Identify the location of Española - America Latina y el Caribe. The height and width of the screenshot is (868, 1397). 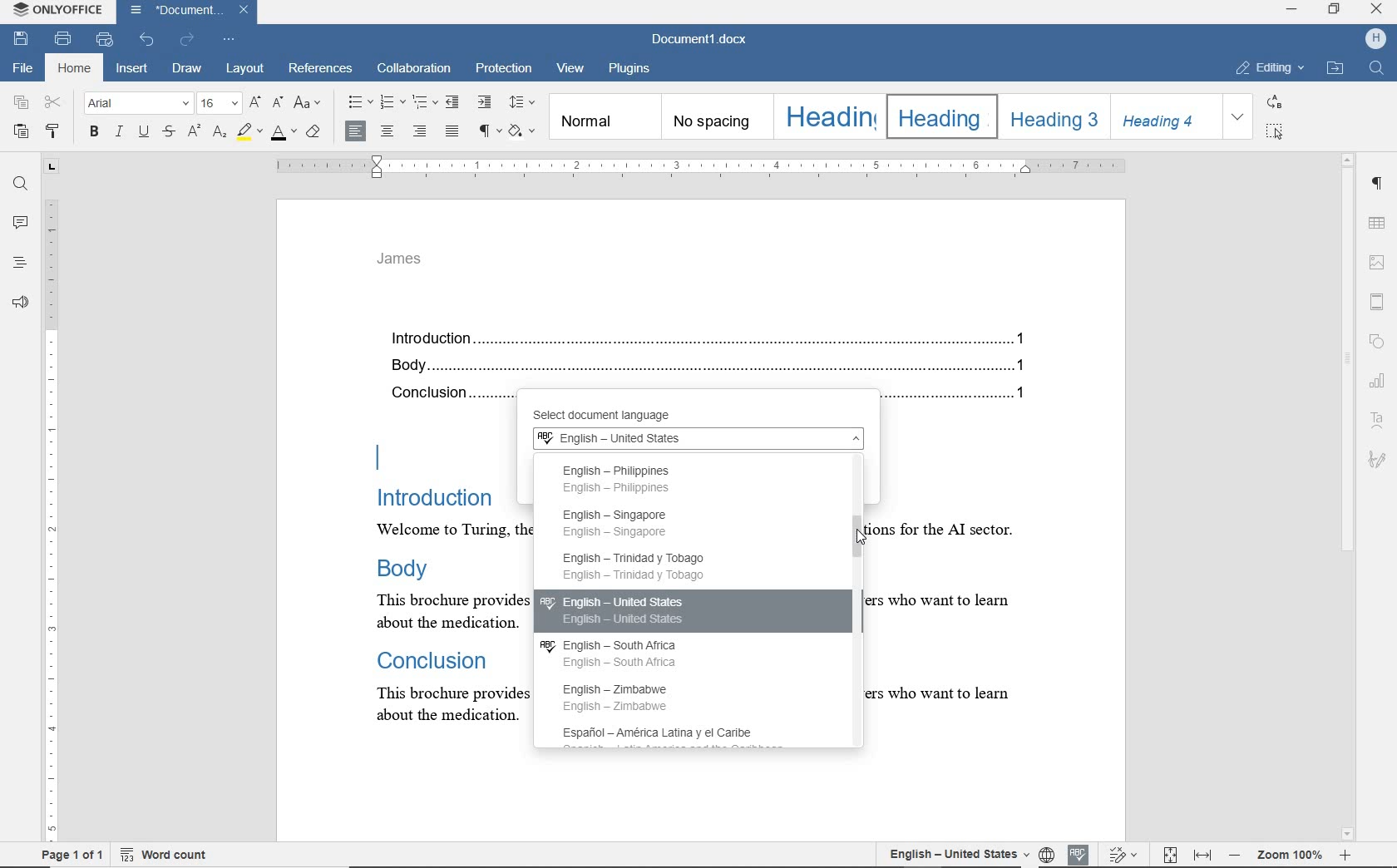
(673, 737).